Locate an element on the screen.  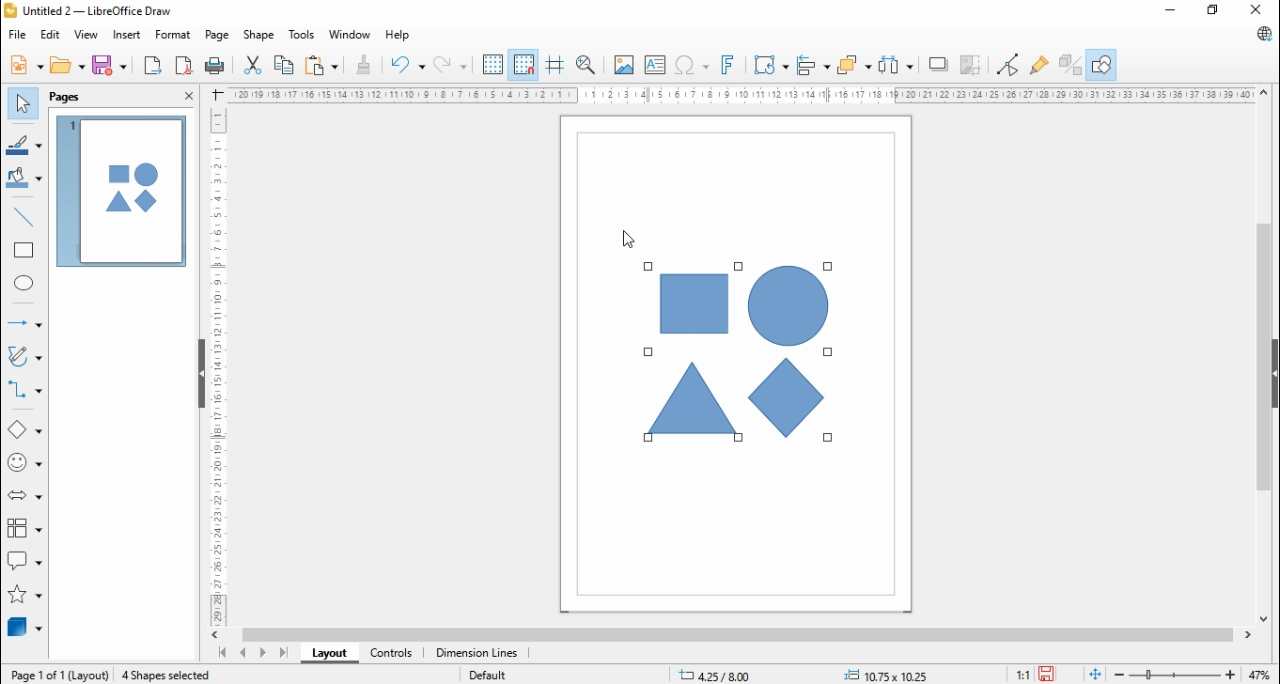
connectors is located at coordinates (24, 390).